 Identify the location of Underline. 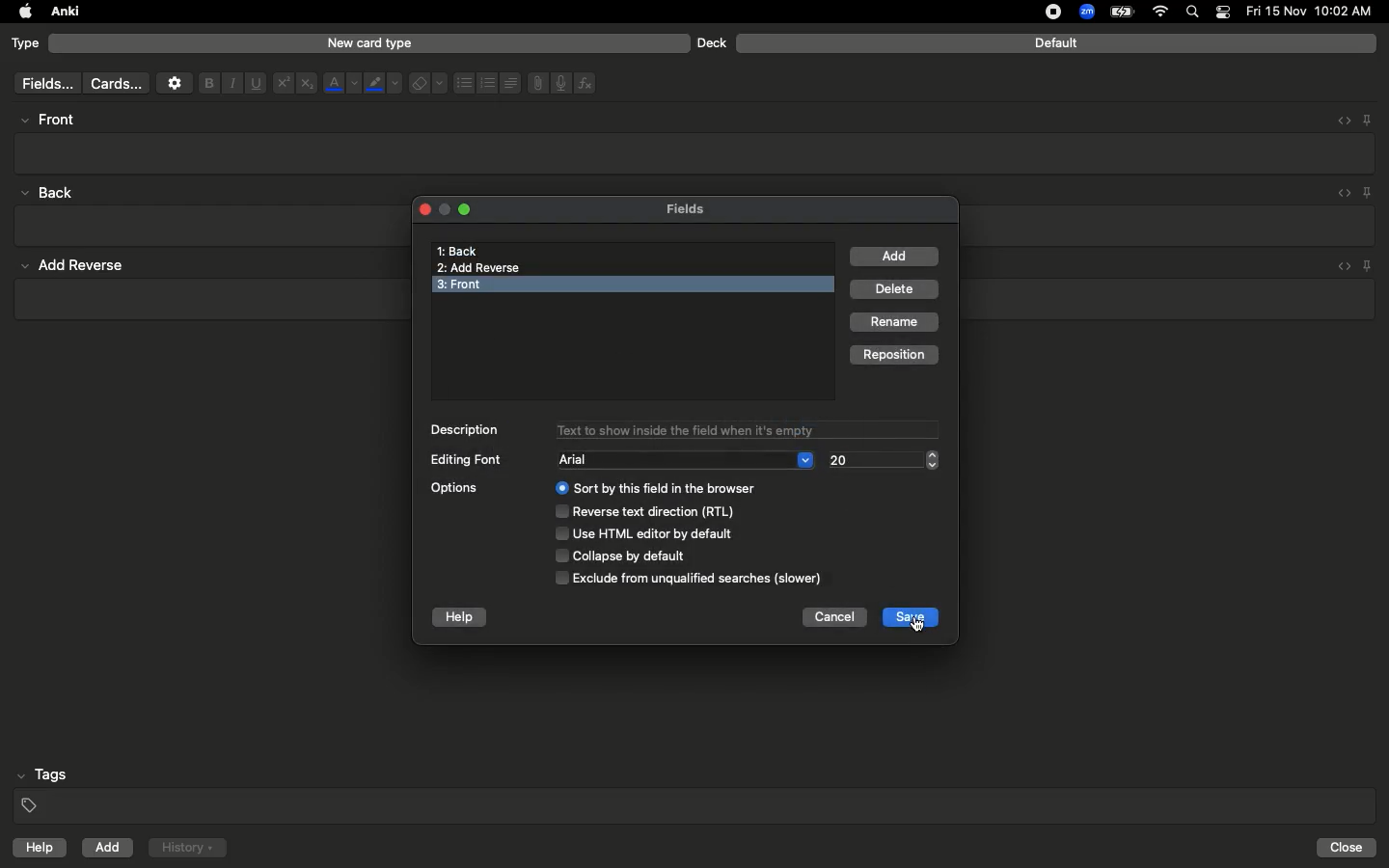
(255, 84).